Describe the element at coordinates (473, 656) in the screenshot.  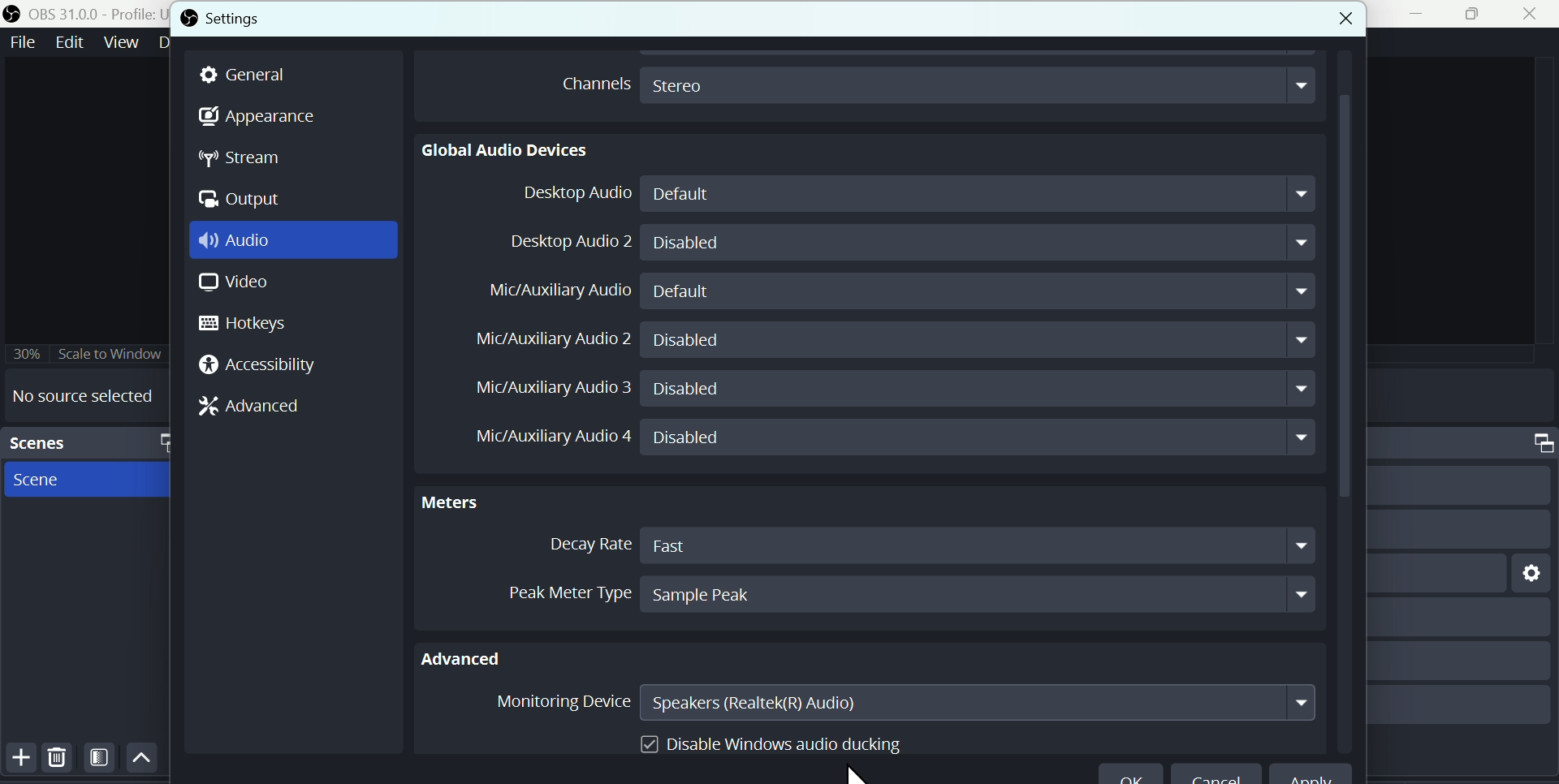
I see `Advanced` at that location.